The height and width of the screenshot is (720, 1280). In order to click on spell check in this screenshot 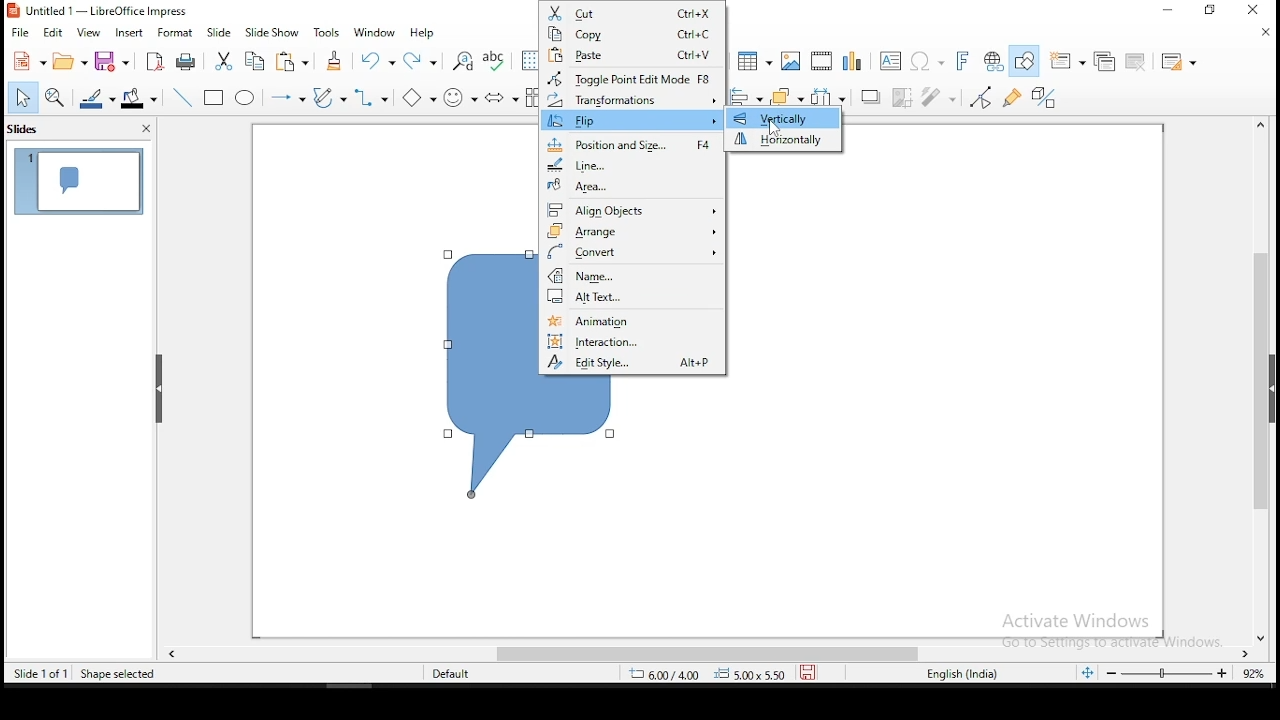, I will do `click(495, 61)`.